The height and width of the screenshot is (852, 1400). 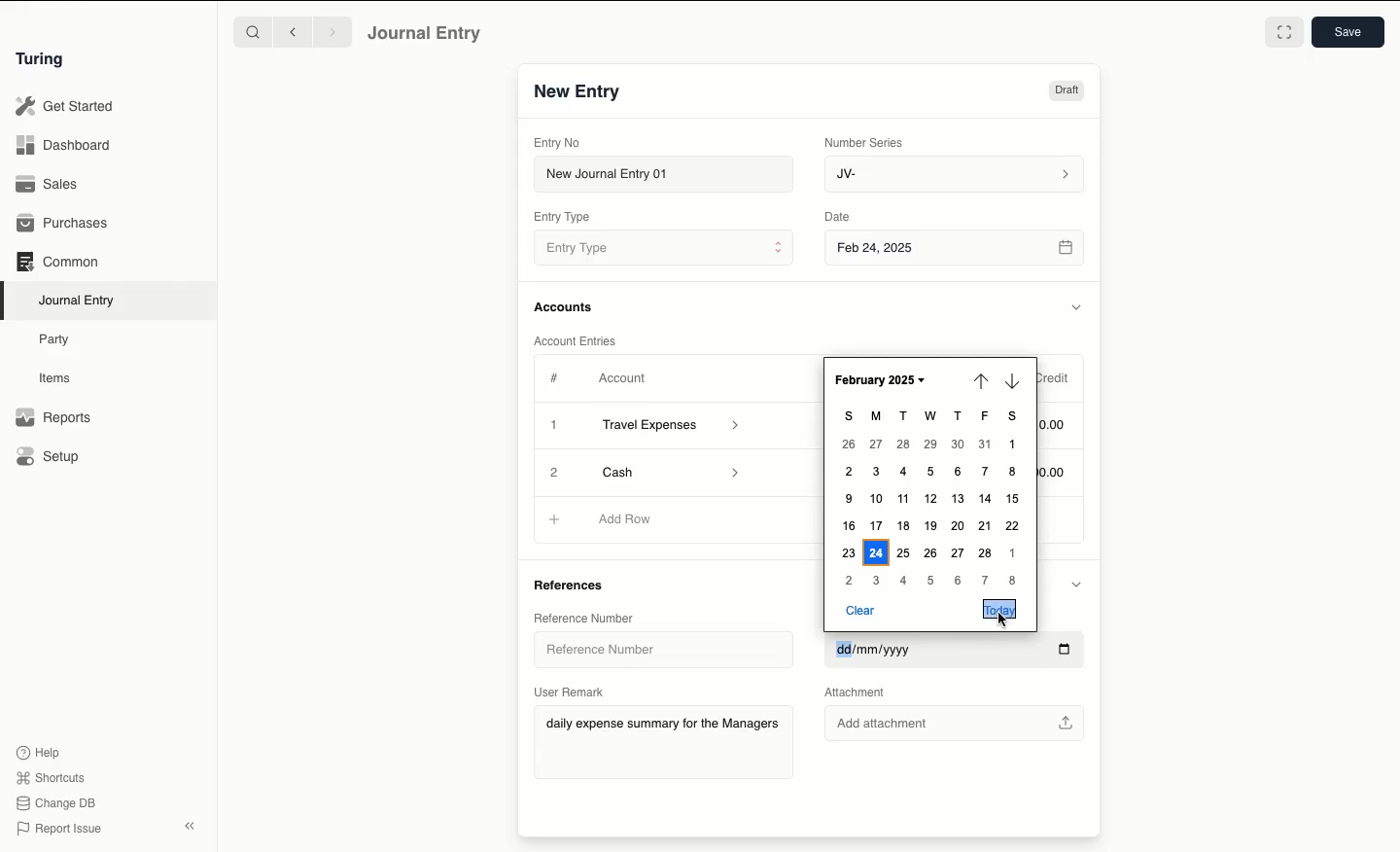 I want to click on cursor, so click(x=1072, y=671).